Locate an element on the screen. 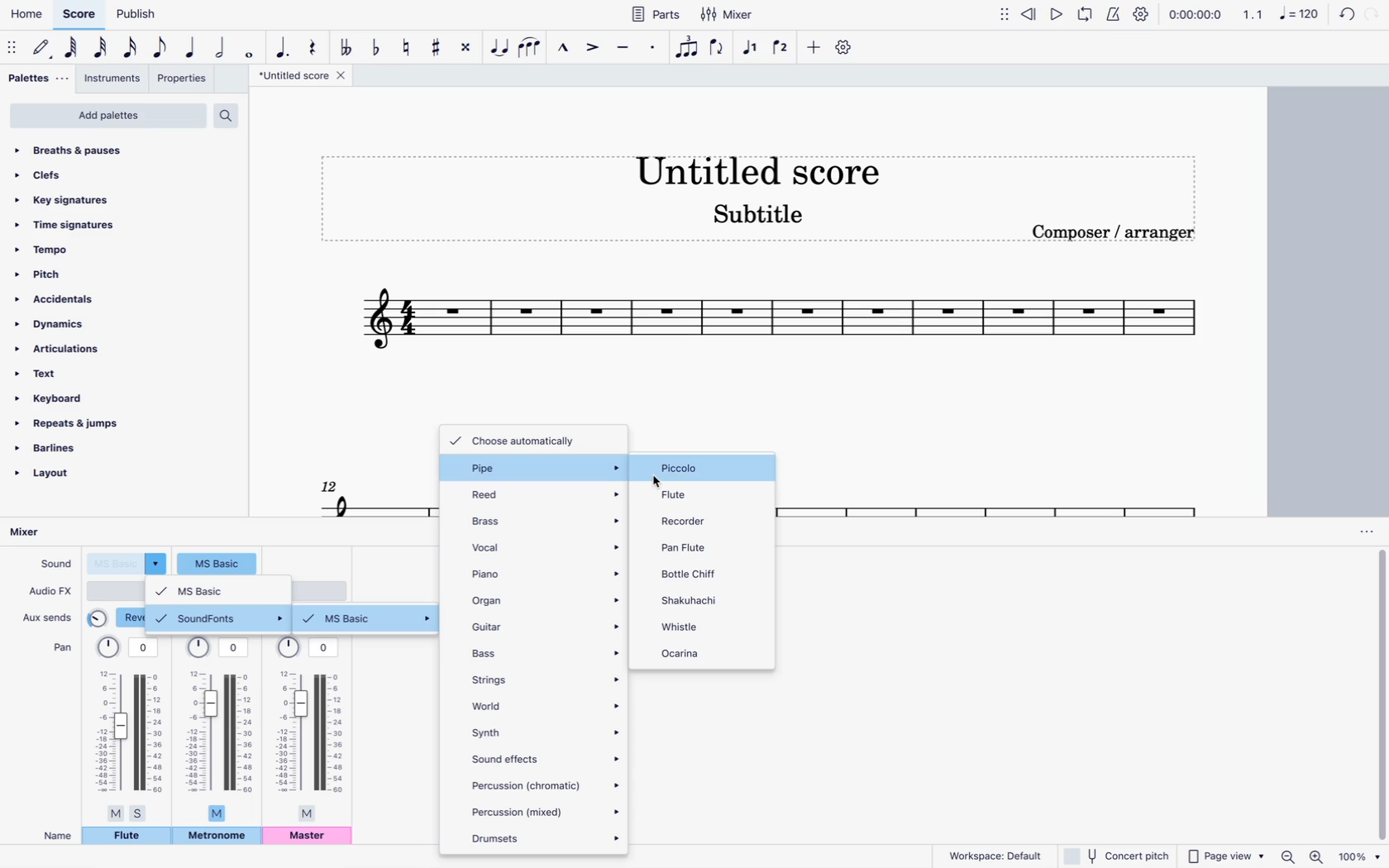 This screenshot has height=868, width=1389. search is located at coordinates (231, 115).